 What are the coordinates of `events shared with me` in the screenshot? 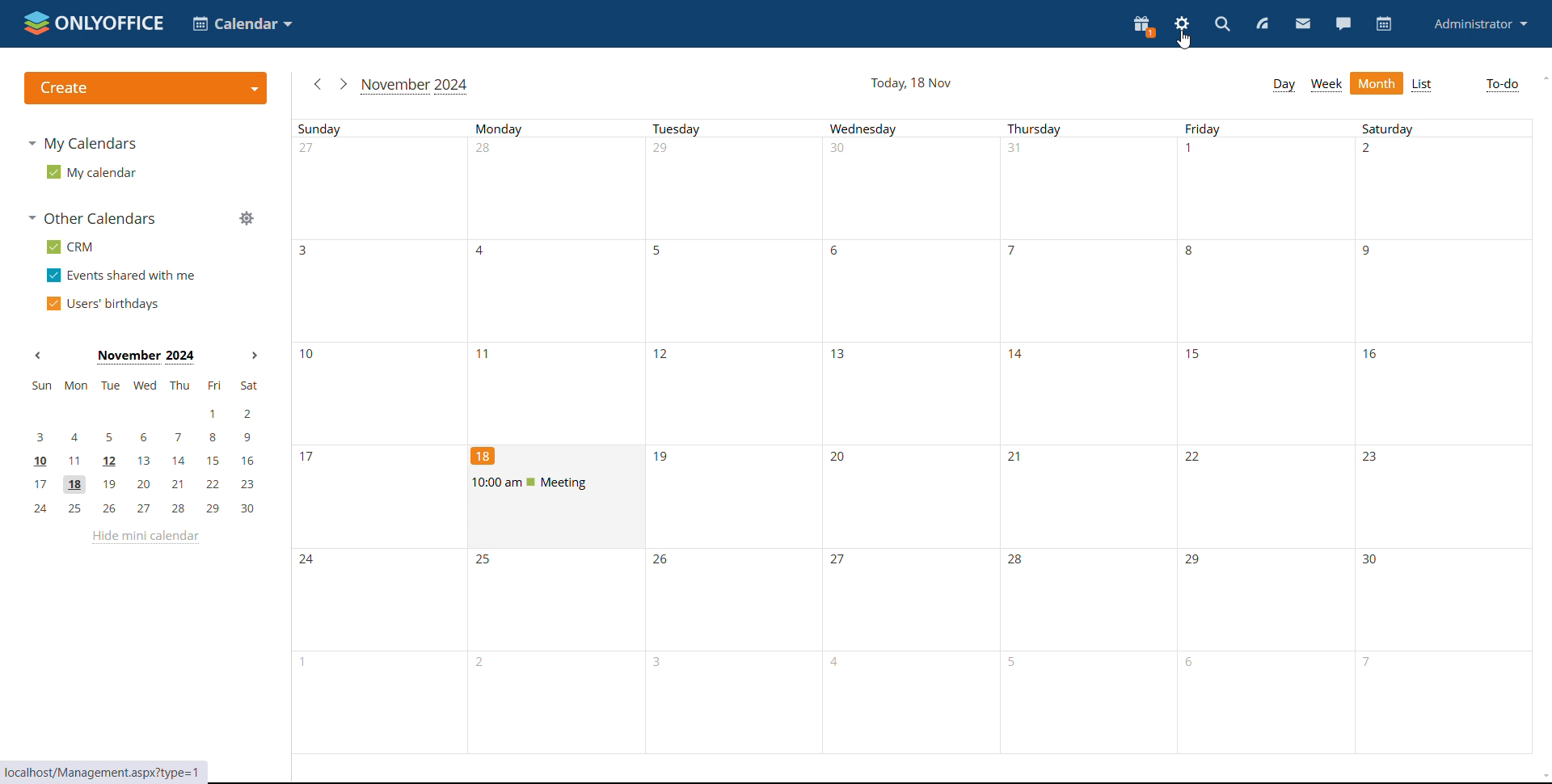 It's located at (123, 276).